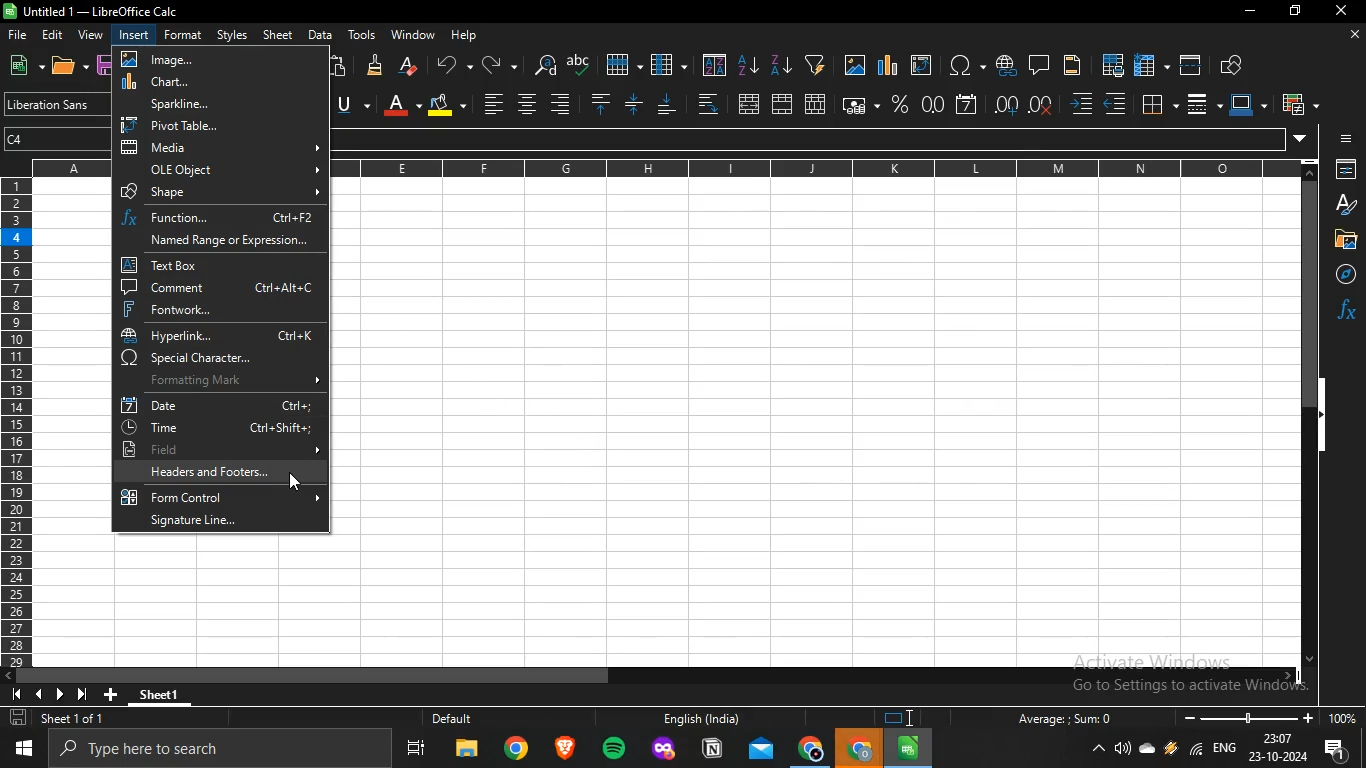 The height and width of the screenshot is (768, 1366). I want to click on format as number, so click(932, 103).